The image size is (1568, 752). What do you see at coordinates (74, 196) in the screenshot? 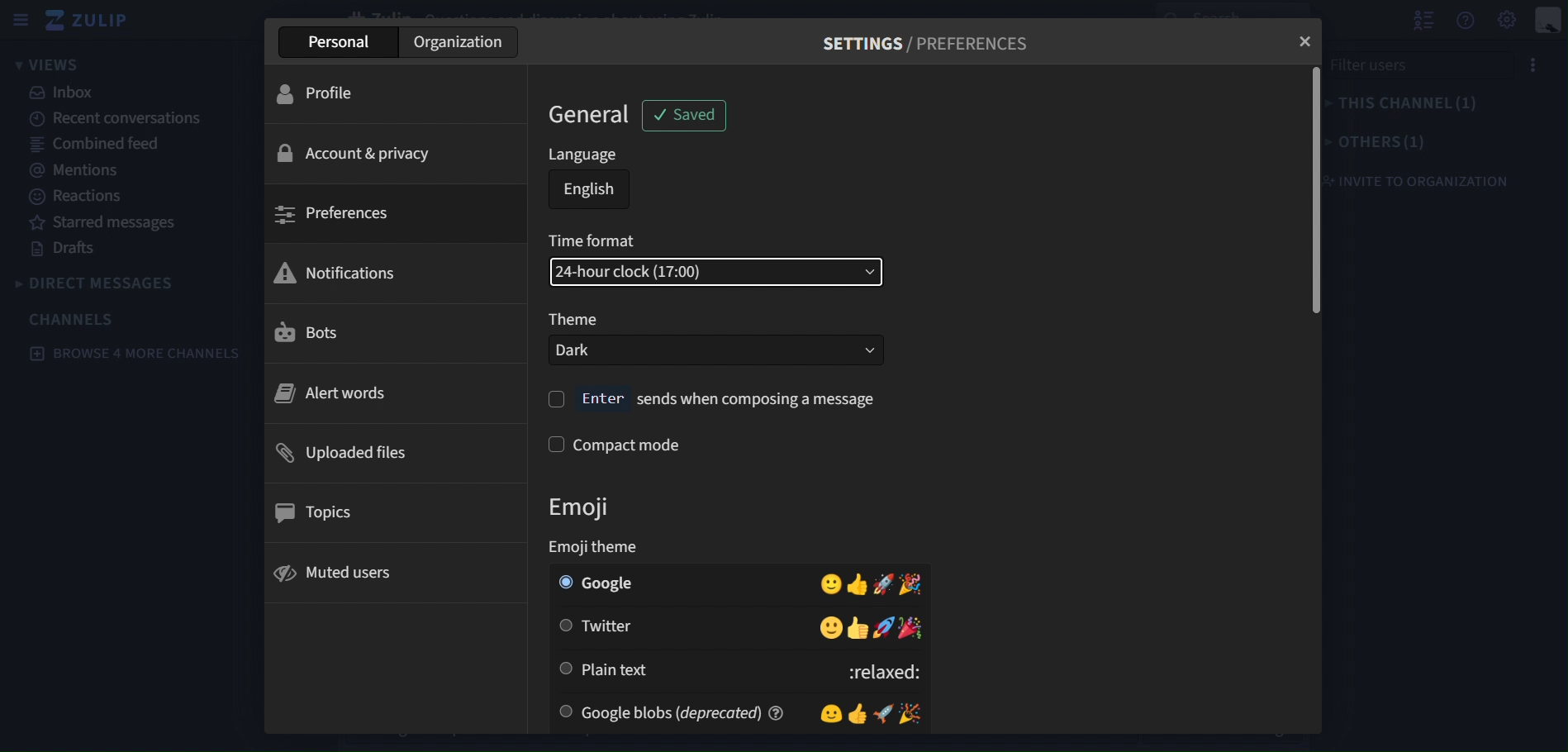
I see `reactions` at bounding box center [74, 196].